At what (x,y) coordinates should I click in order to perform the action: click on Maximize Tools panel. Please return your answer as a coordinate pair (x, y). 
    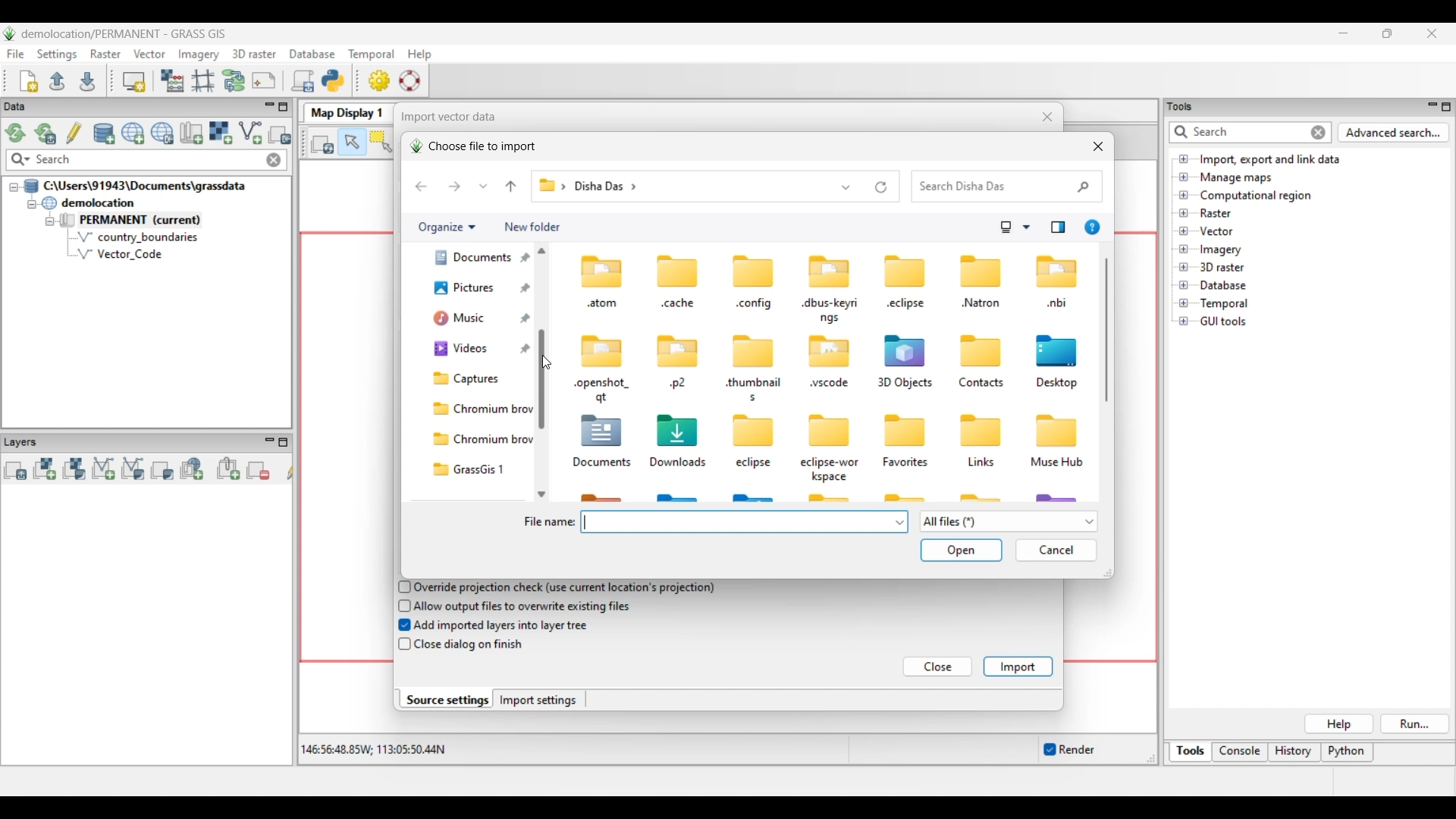
    Looking at the image, I should click on (1446, 107).